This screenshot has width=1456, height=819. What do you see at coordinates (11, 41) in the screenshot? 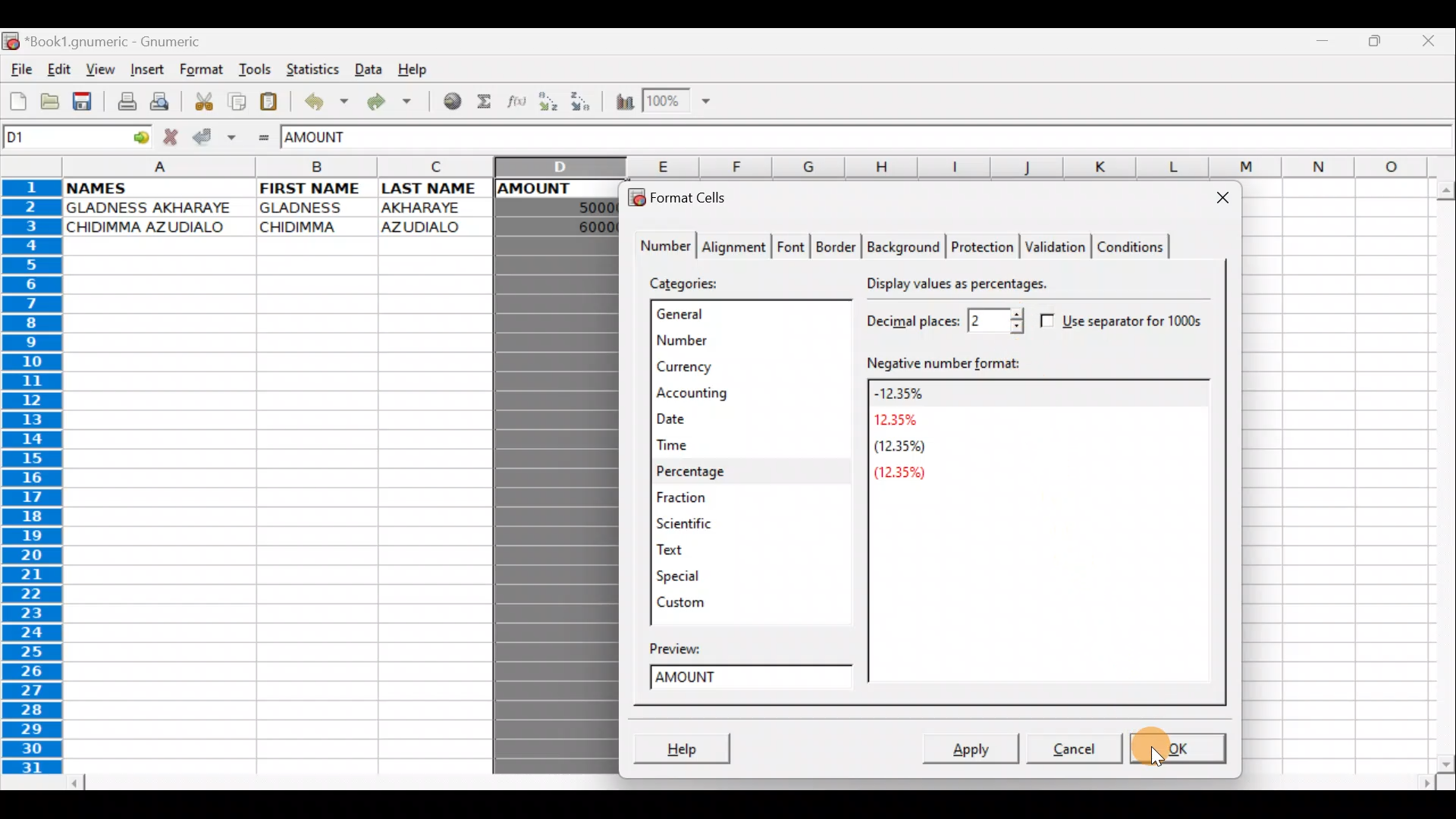
I see `Gnumeric logo` at bounding box center [11, 41].